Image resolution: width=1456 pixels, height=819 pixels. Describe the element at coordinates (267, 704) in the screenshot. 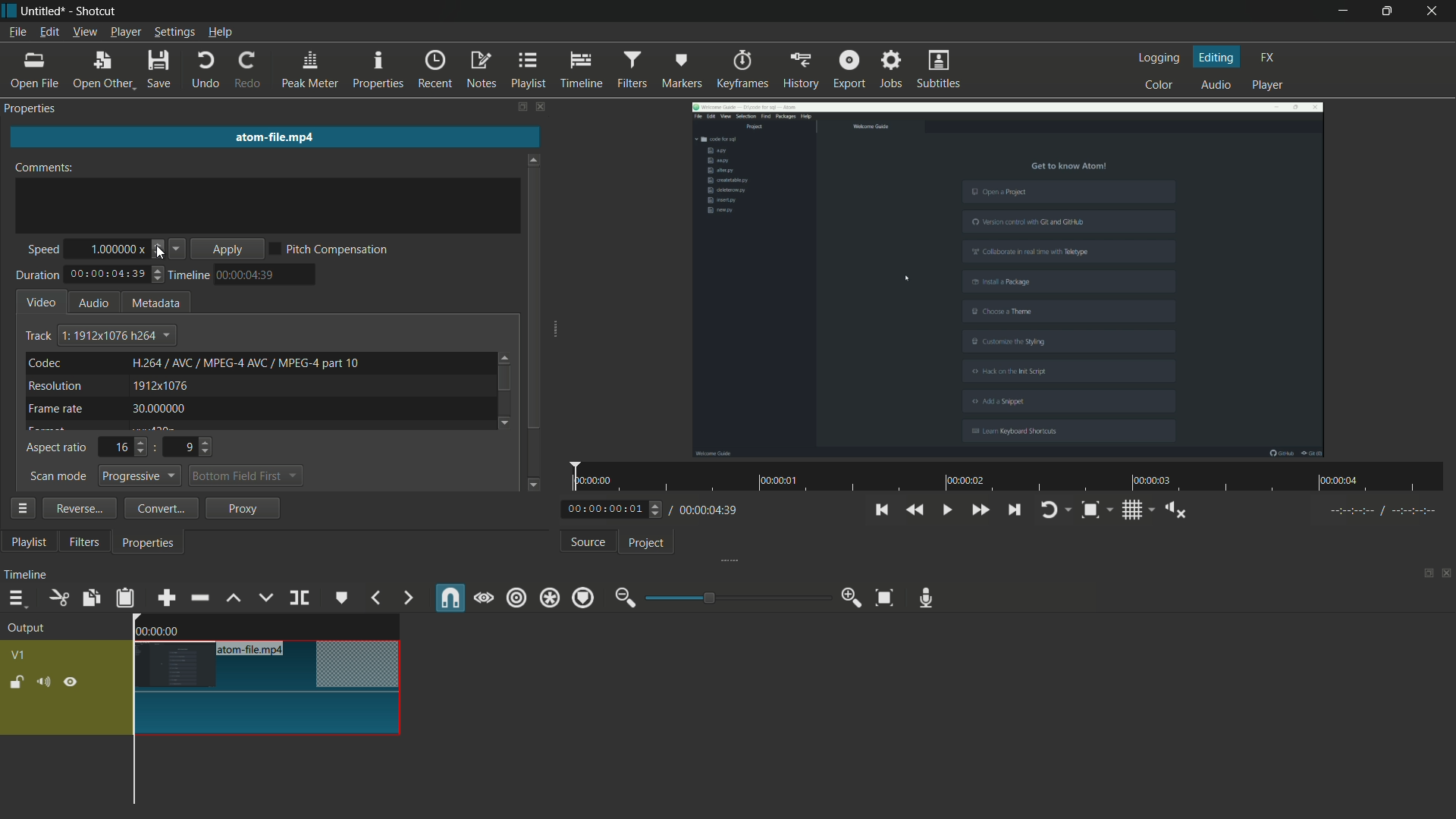

I see `video in timeline` at that location.